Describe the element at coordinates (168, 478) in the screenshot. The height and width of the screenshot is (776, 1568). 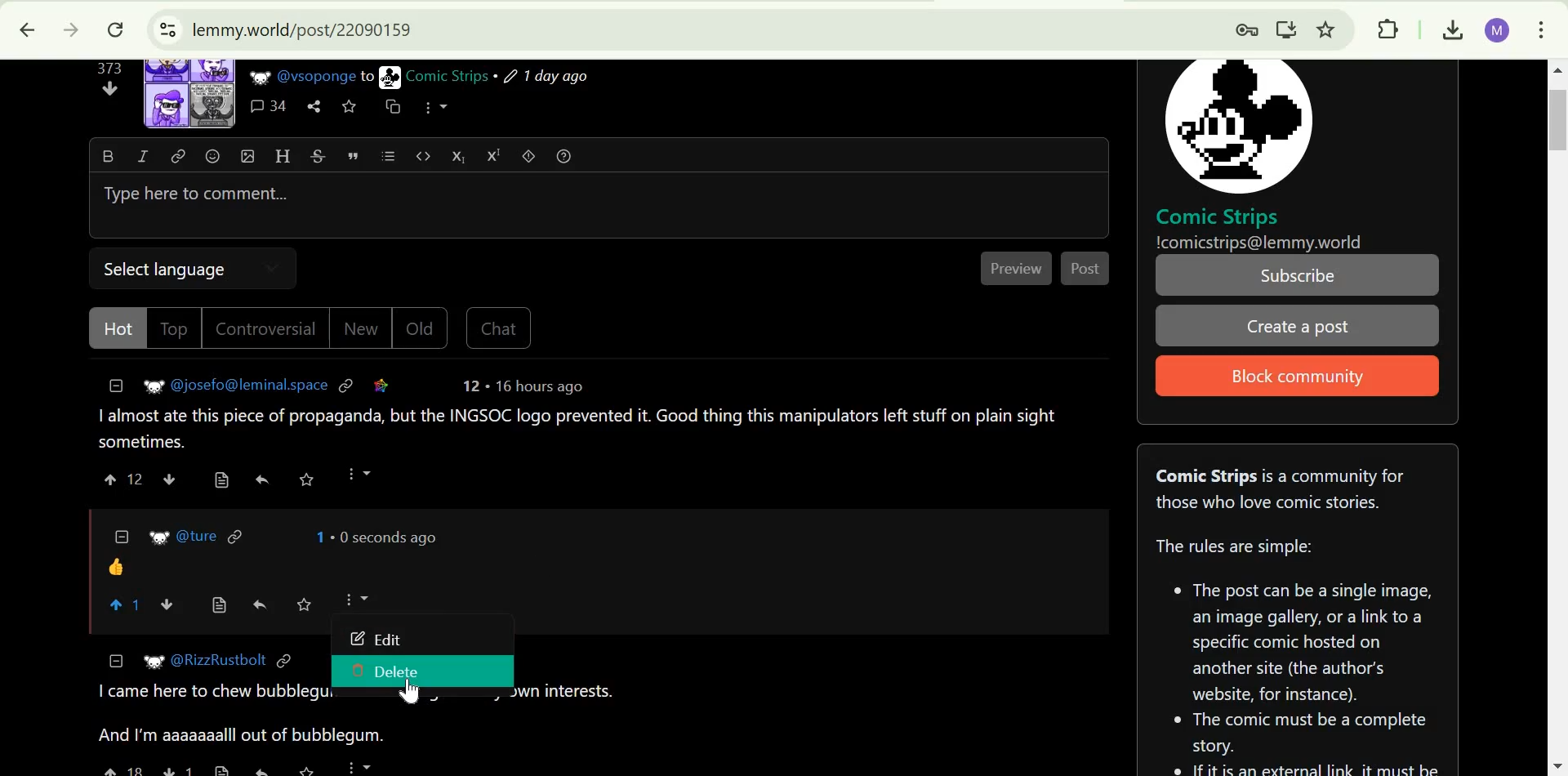
I see `downvote` at that location.